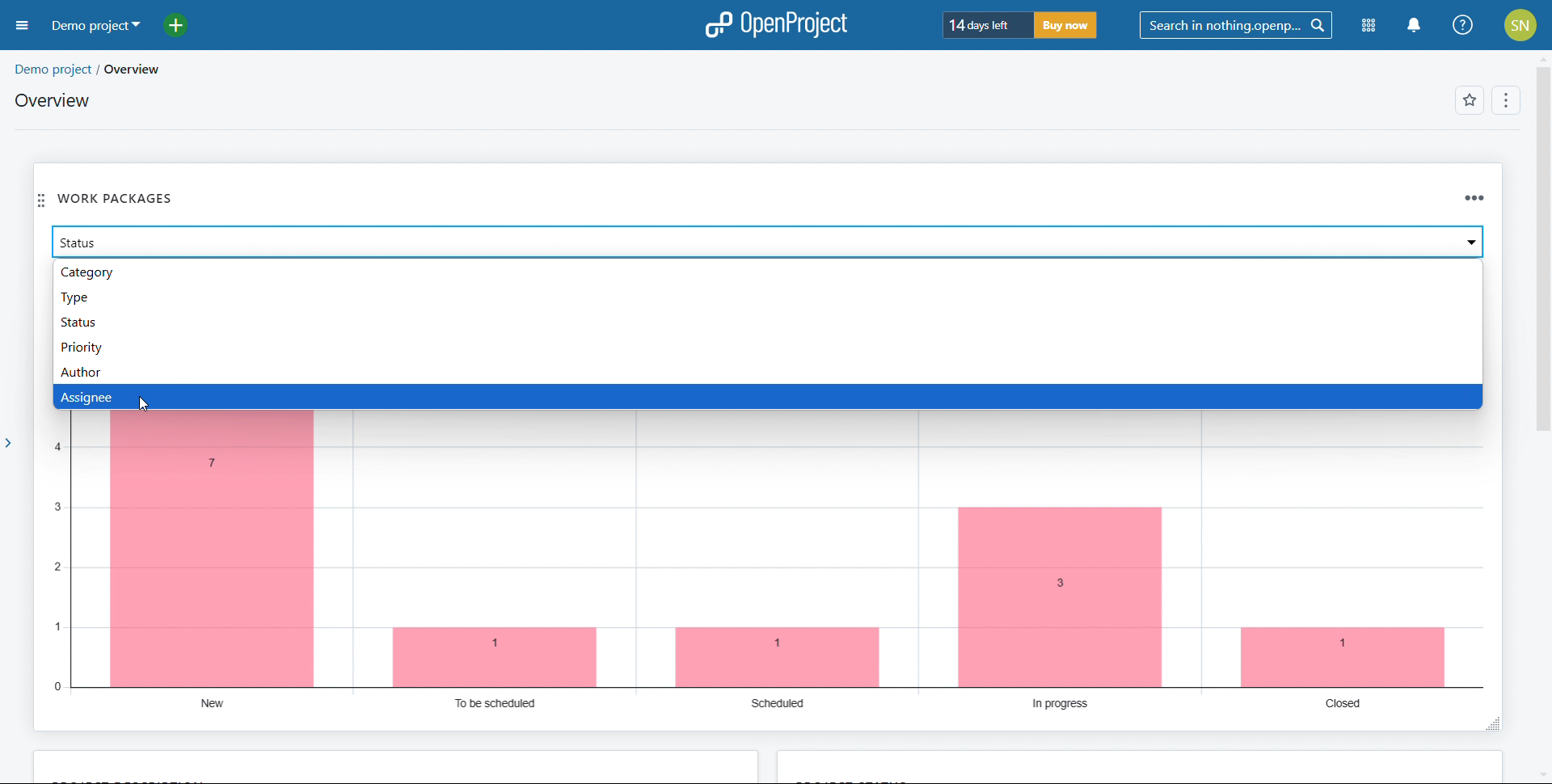  I want to click on modules, so click(1368, 27).